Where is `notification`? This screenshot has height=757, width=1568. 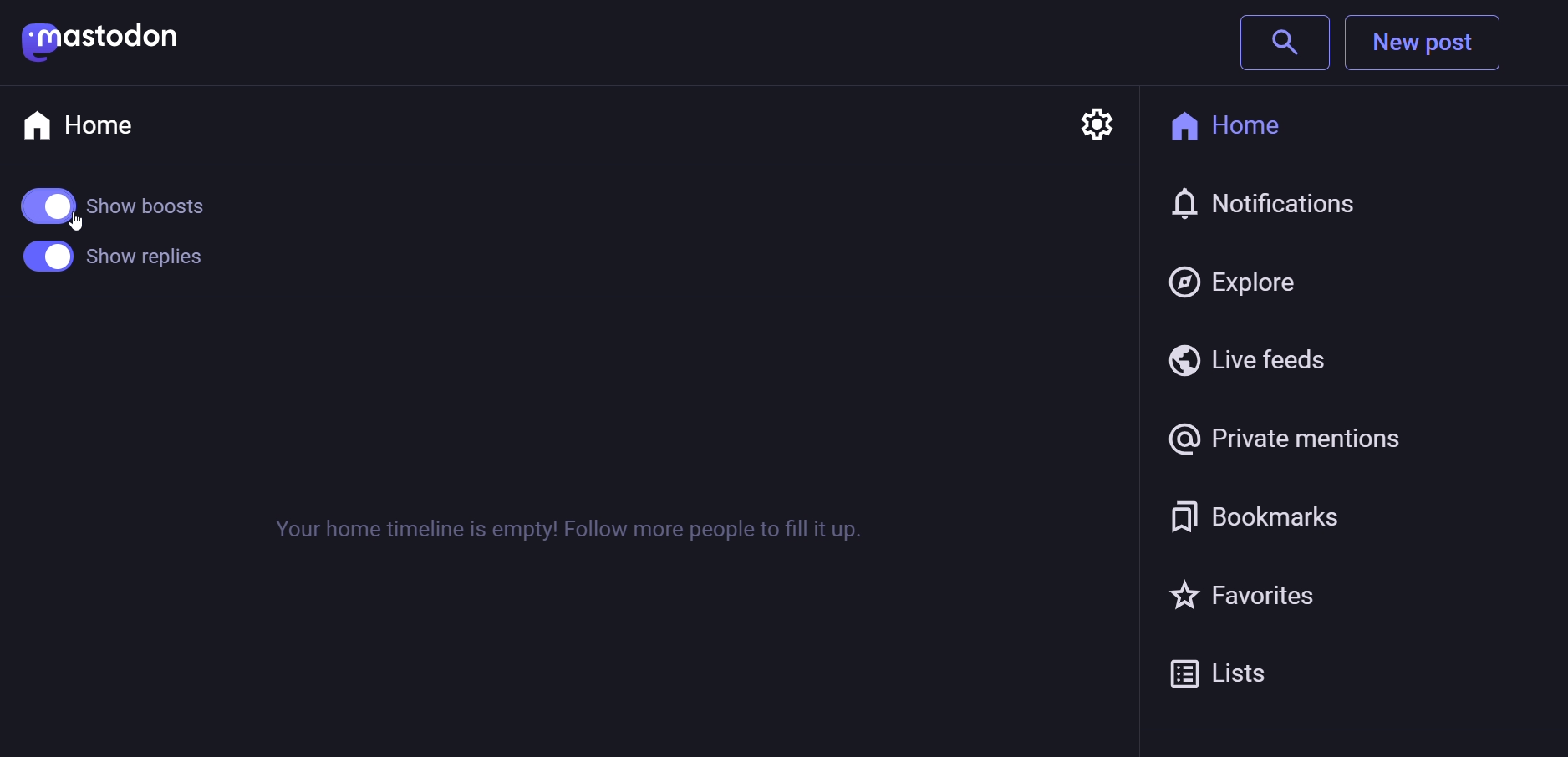 notification is located at coordinates (1272, 206).